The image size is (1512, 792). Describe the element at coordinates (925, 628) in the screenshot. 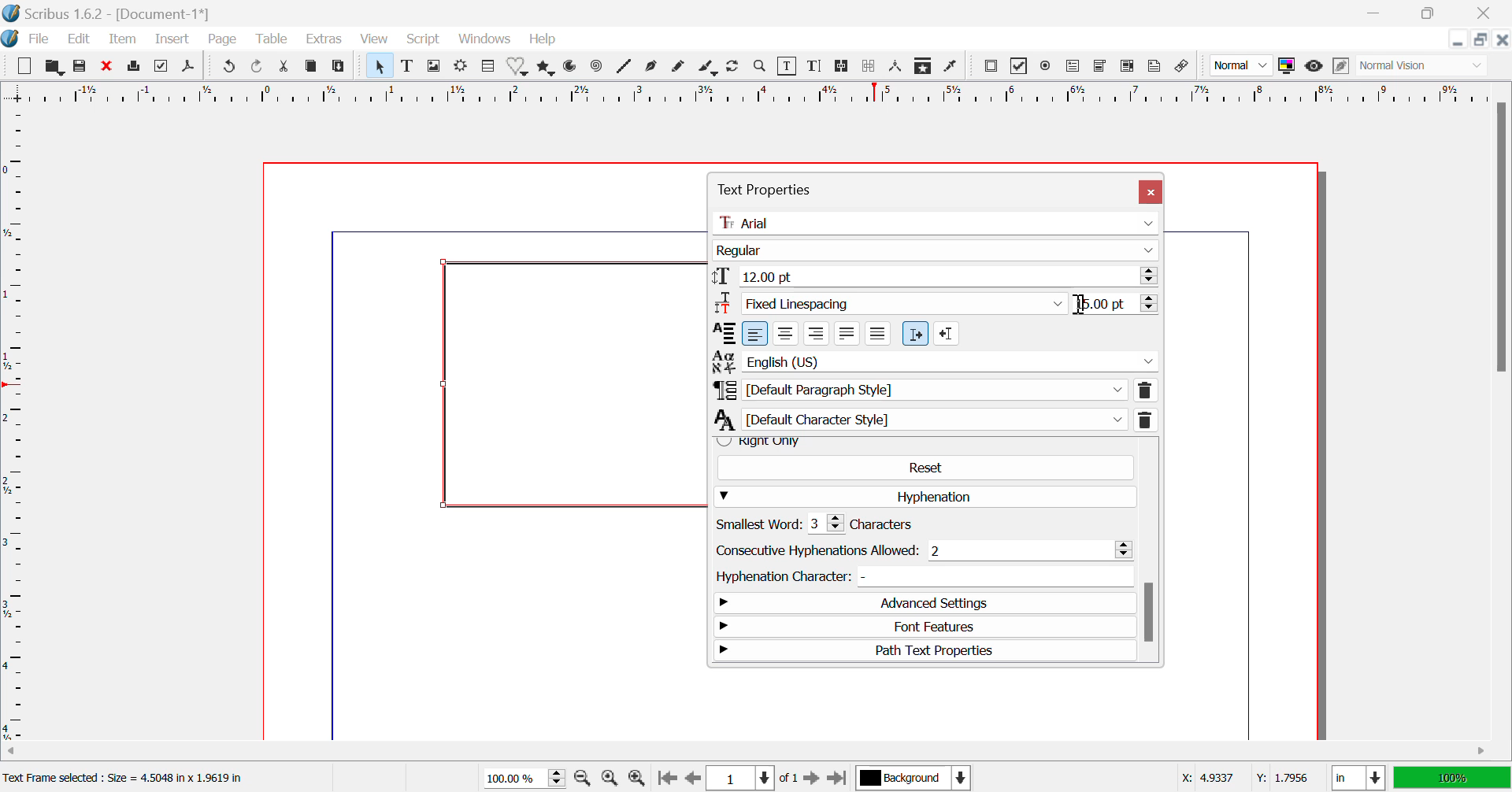

I see `Font Features` at that location.